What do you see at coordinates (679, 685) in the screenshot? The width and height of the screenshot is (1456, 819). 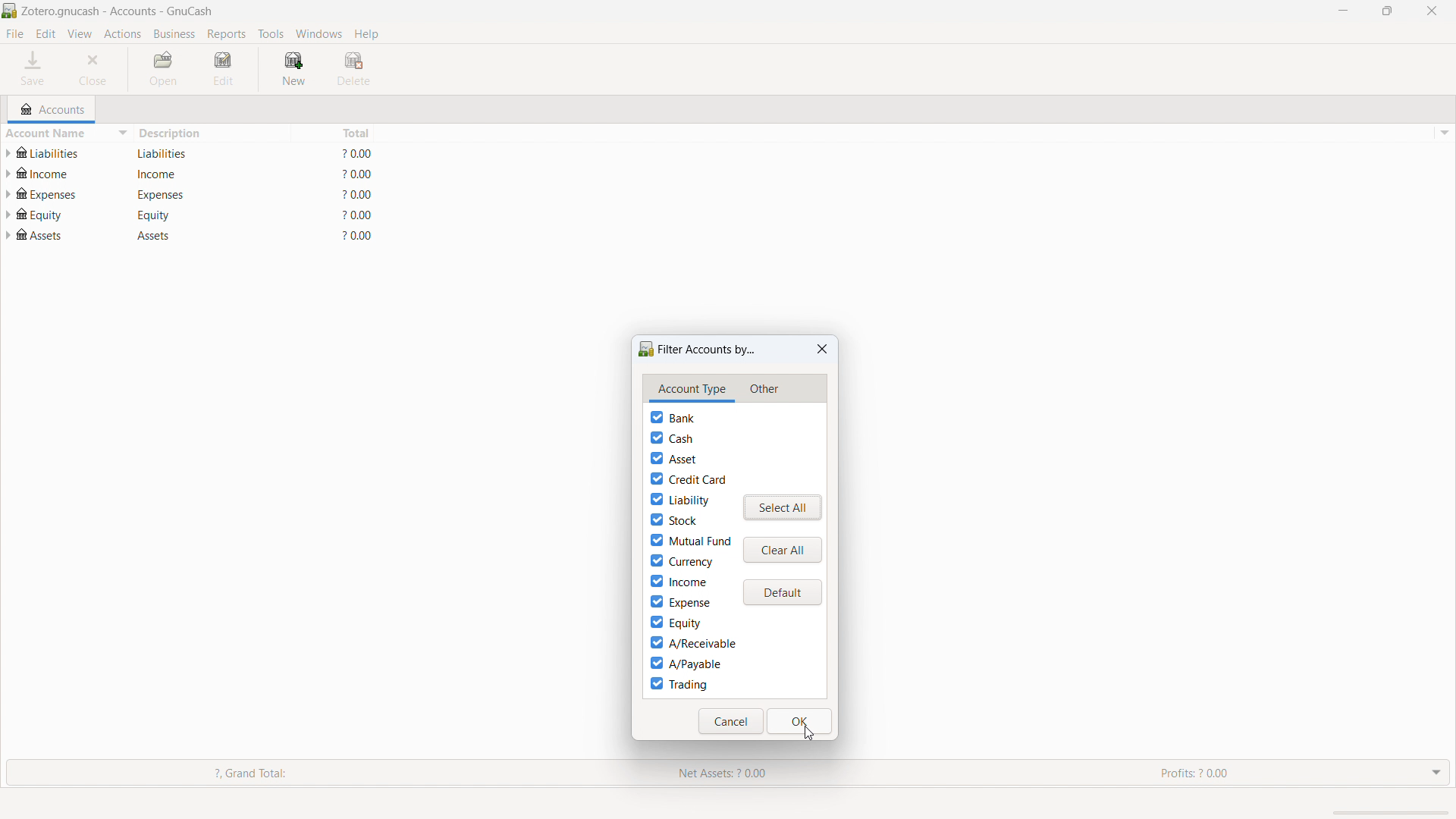 I see `trading` at bounding box center [679, 685].